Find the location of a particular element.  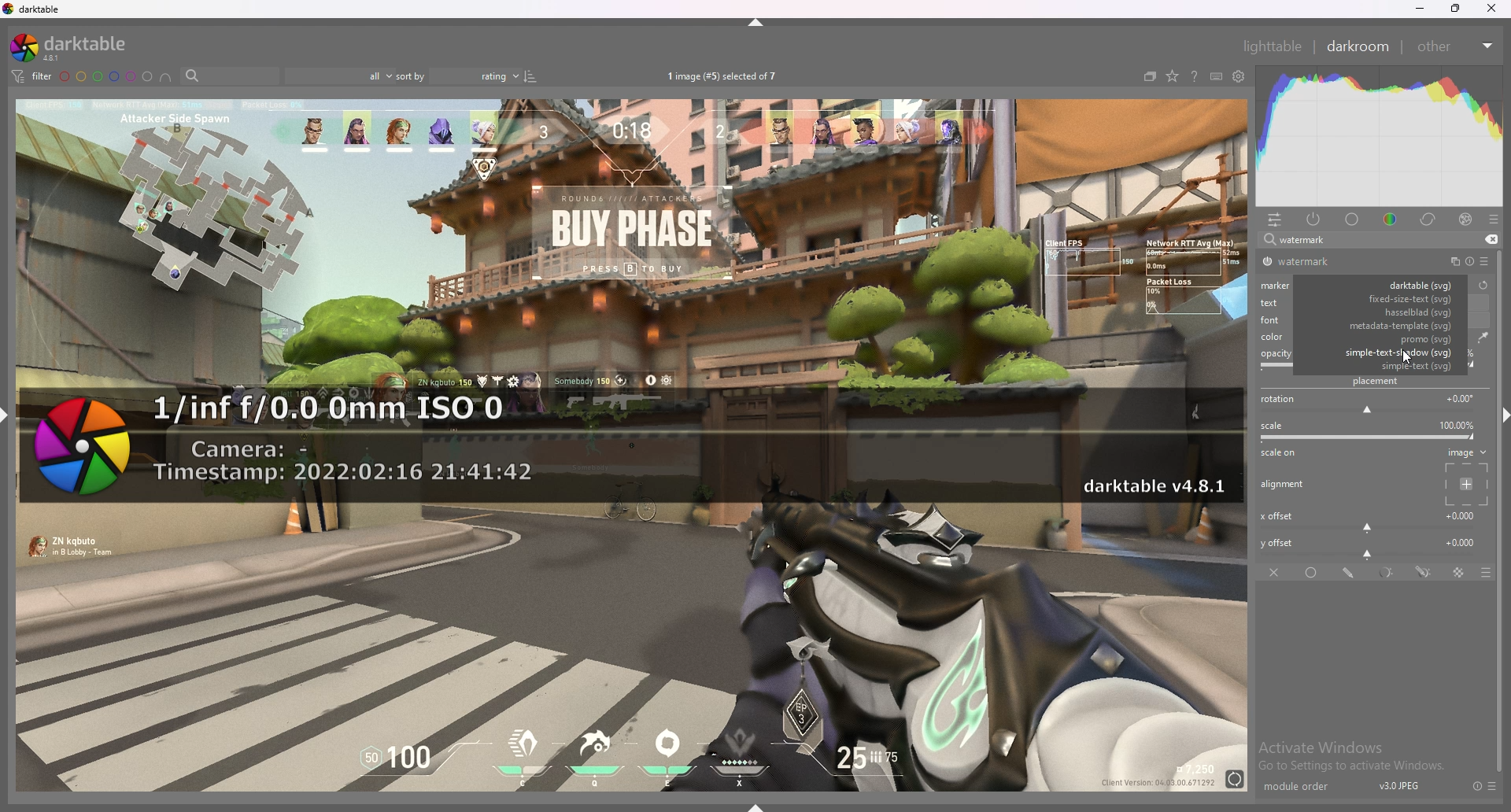

color is located at coordinates (1274, 336).